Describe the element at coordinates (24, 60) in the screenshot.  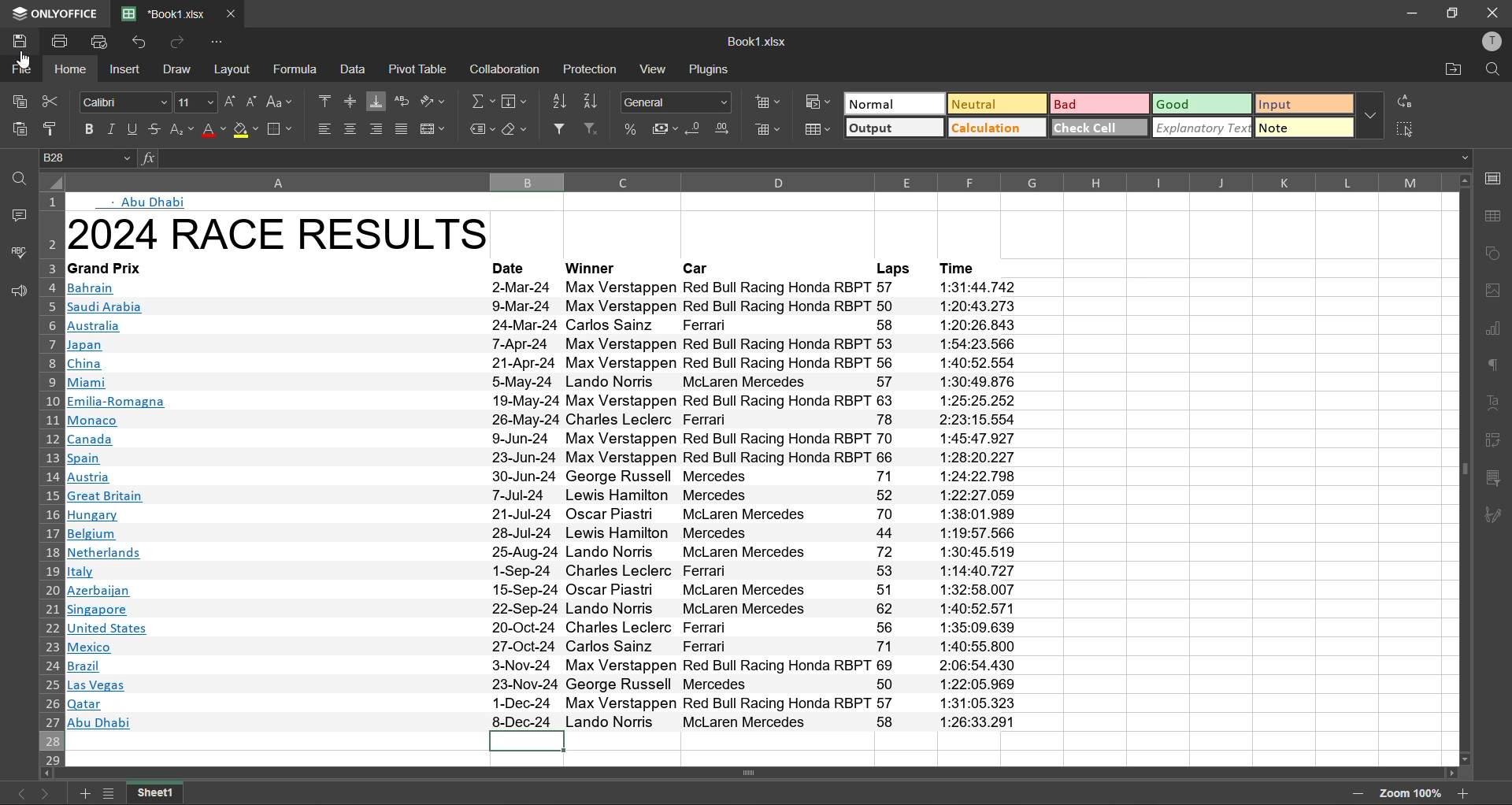
I see `Cursor` at that location.